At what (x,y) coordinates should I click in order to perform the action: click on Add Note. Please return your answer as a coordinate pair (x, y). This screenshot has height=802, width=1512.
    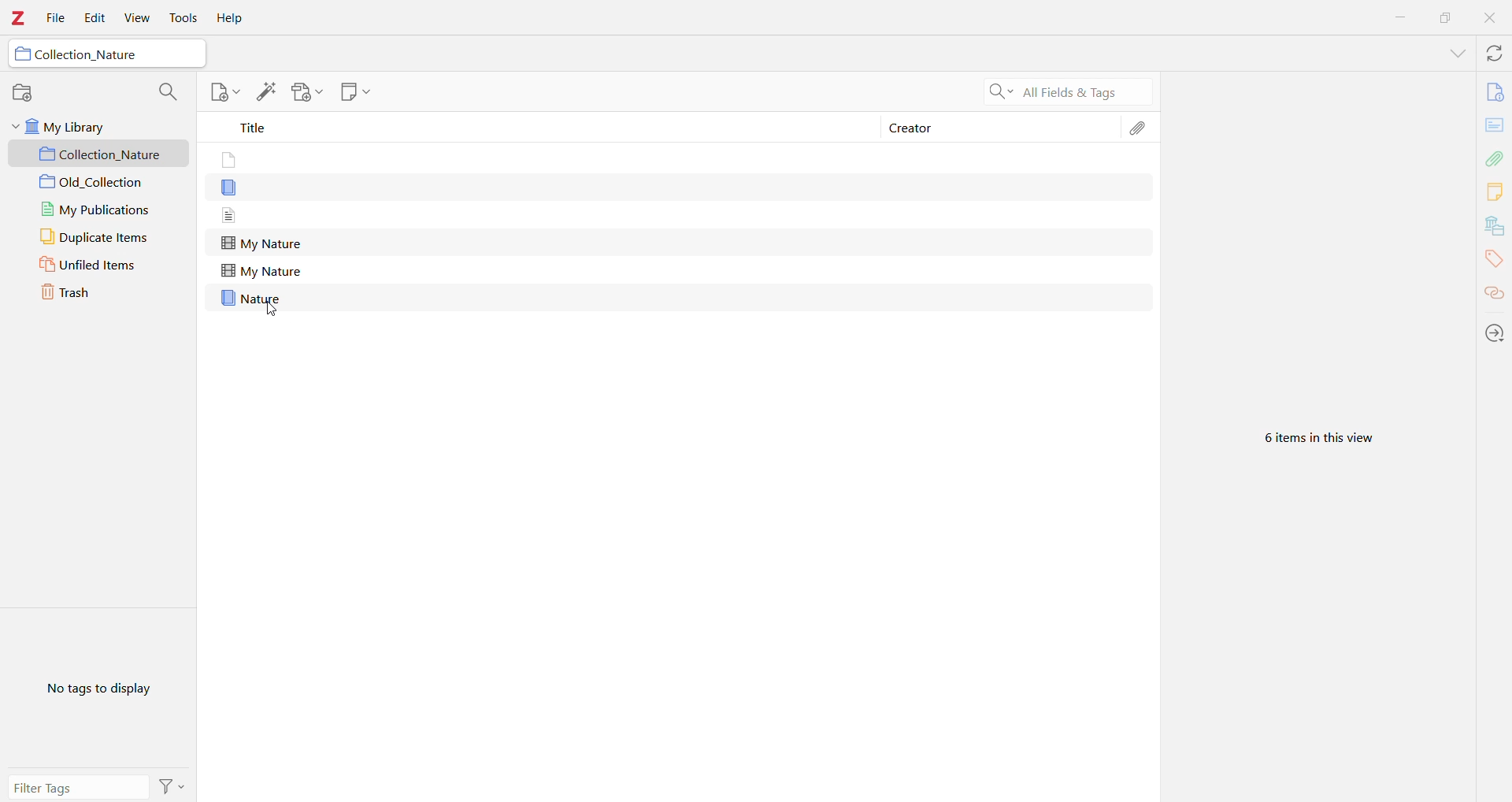
    Looking at the image, I should click on (224, 91).